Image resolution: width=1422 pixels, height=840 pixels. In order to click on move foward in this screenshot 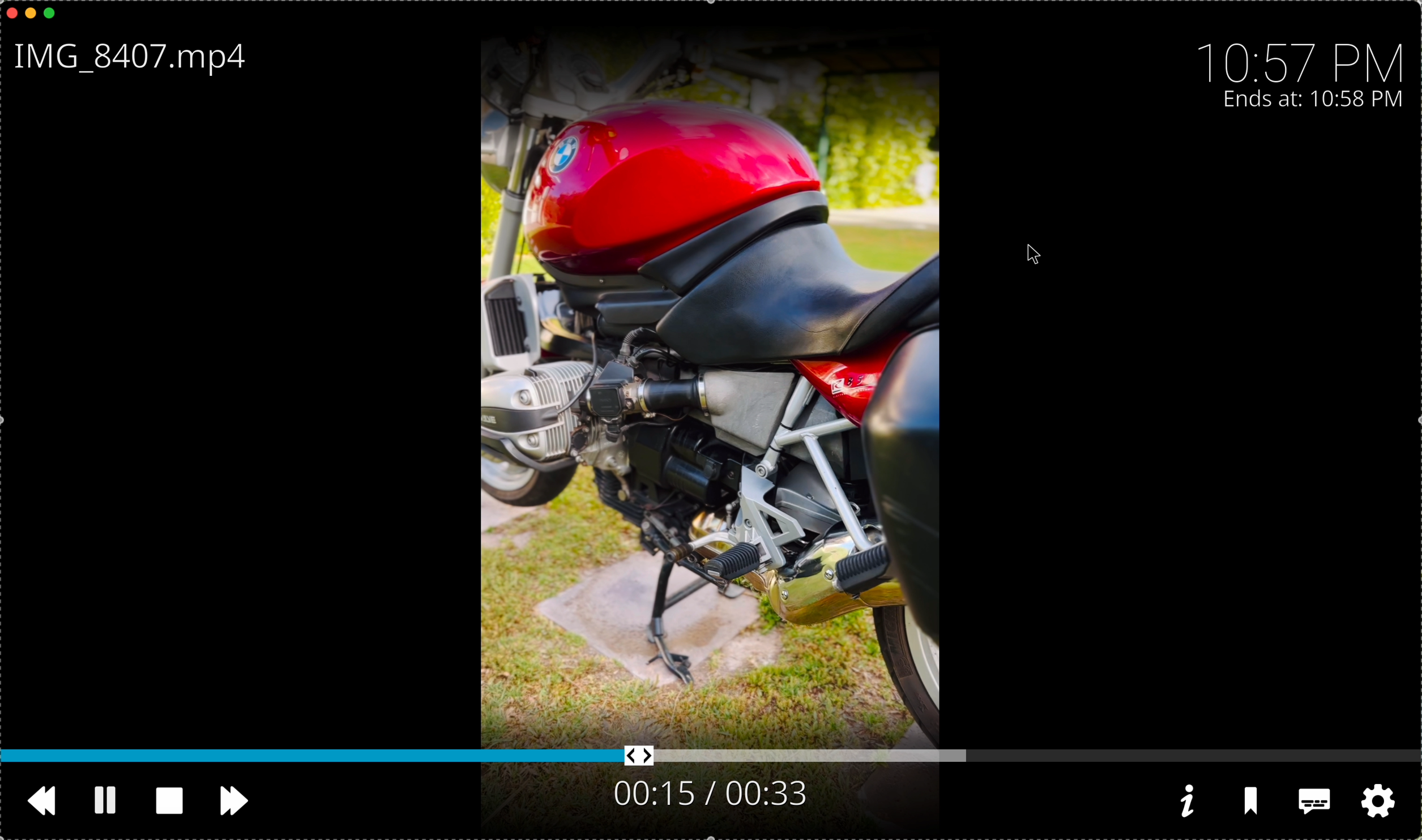, I will do `click(234, 802)`.